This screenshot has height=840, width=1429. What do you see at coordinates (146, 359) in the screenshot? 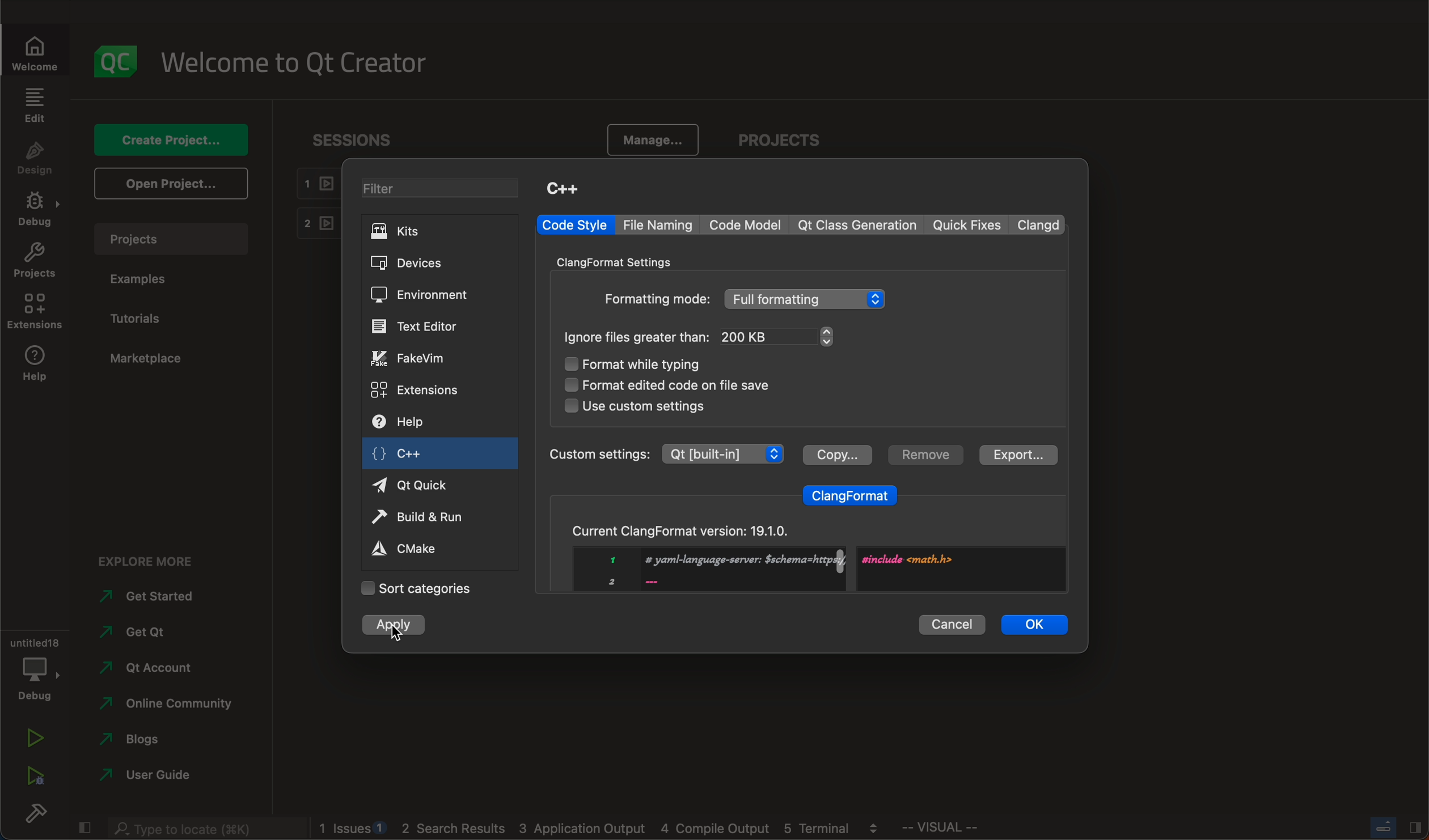
I see `marketplace` at bounding box center [146, 359].